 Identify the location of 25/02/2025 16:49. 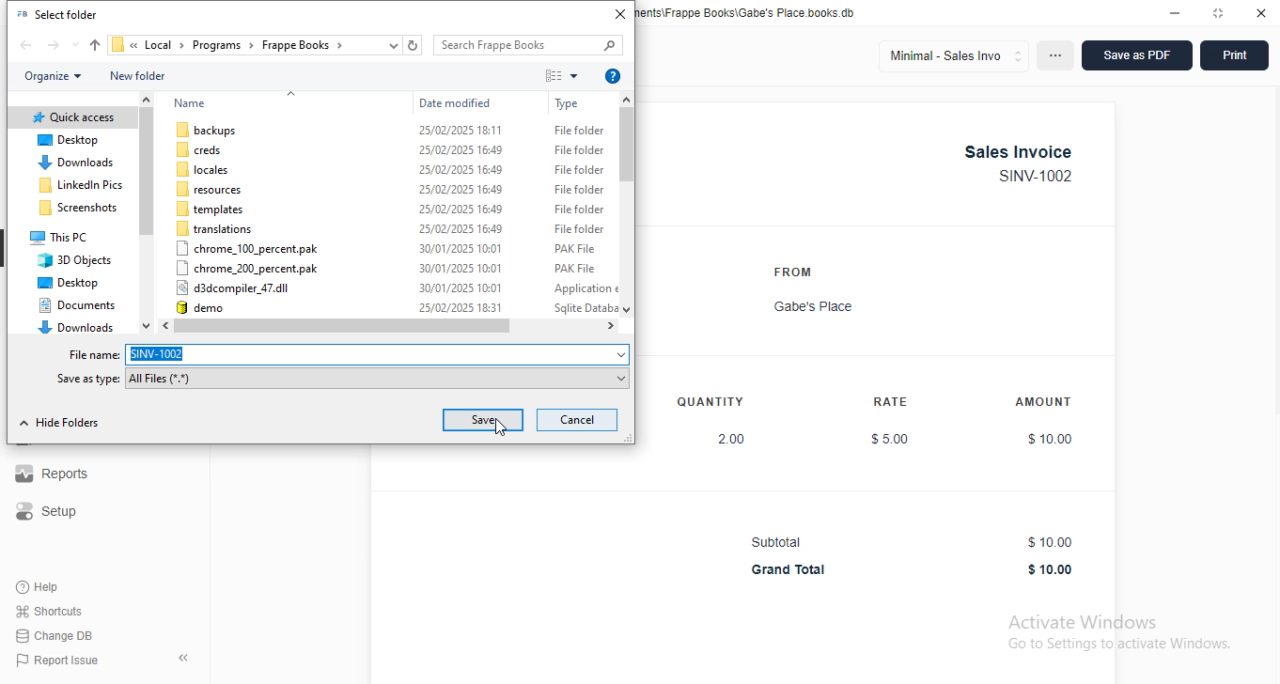
(460, 189).